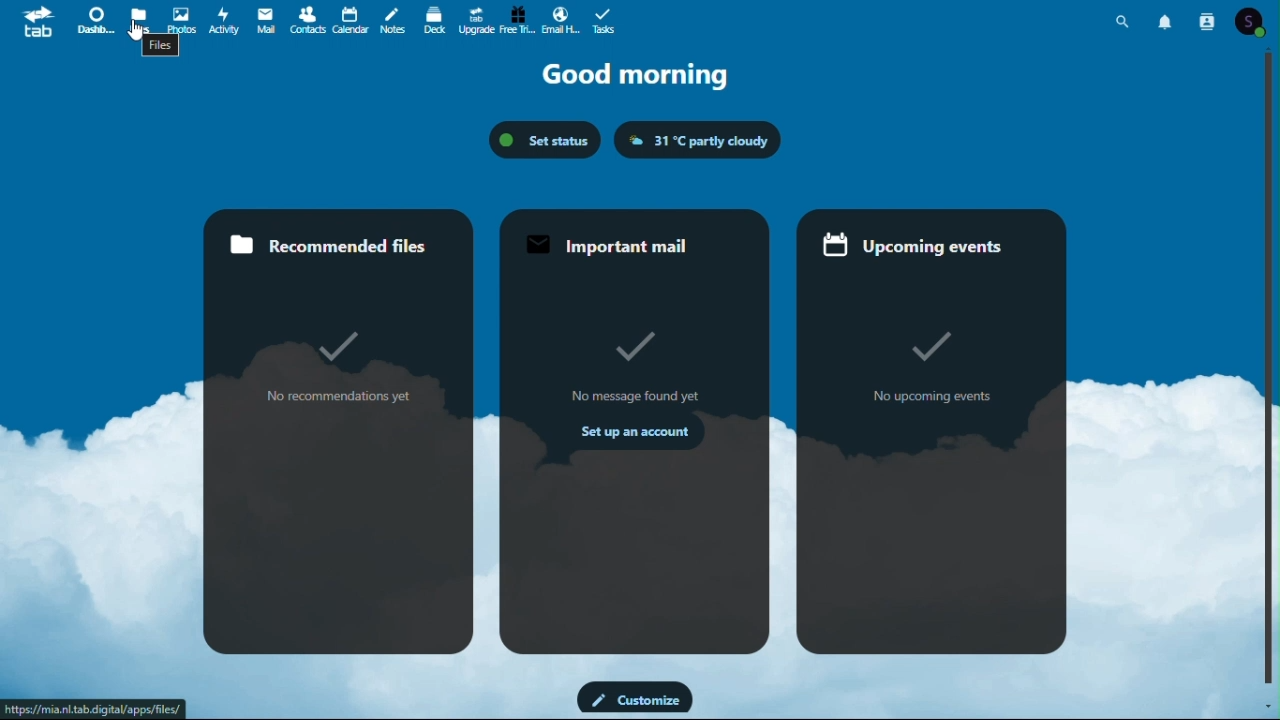 Image resolution: width=1280 pixels, height=720 pixels. Describe the element at coordinates (352, 19) in the screenshot. I see `calendar` at that location.